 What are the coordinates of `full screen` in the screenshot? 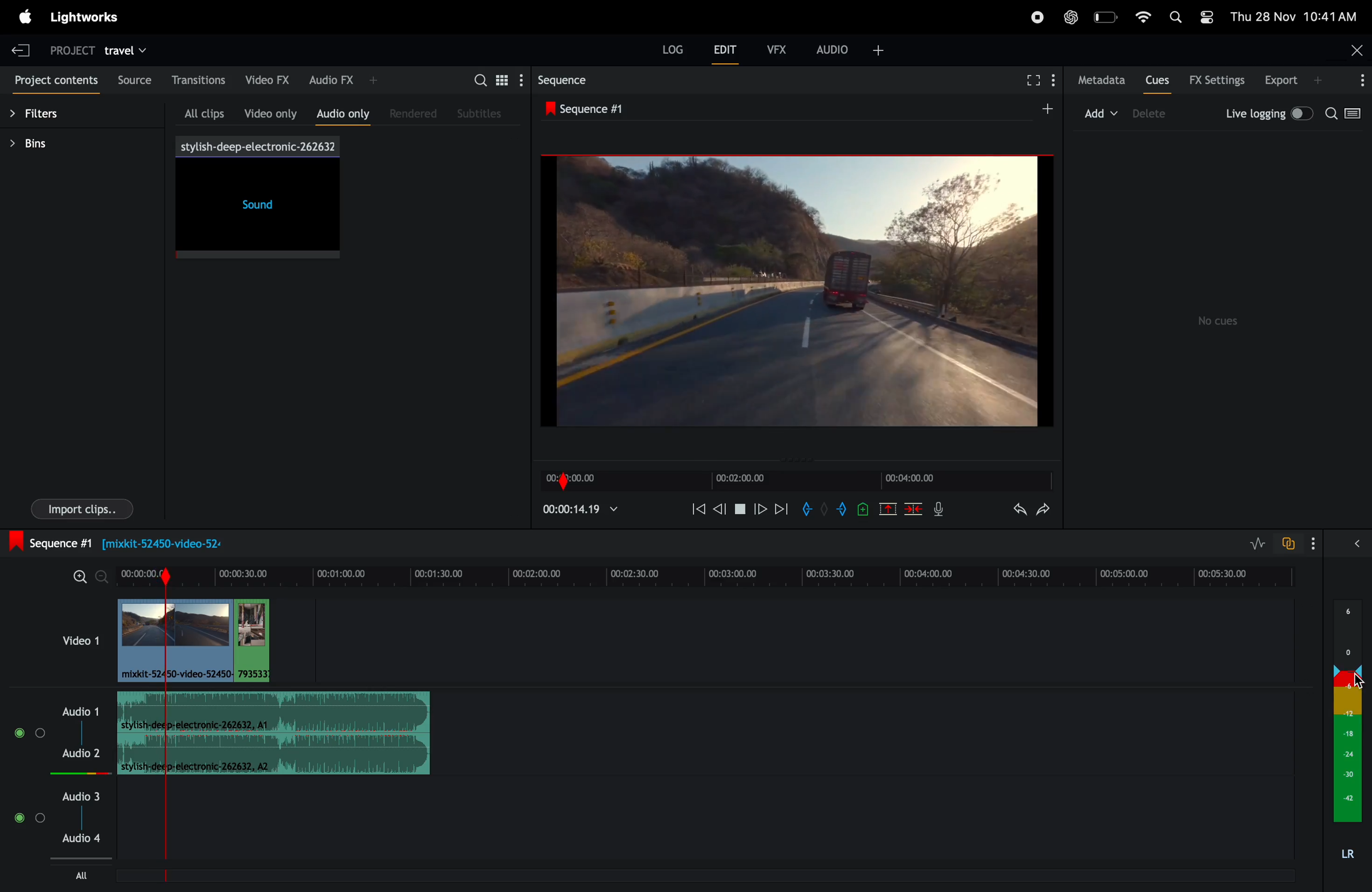 It's located at (1036, 80).